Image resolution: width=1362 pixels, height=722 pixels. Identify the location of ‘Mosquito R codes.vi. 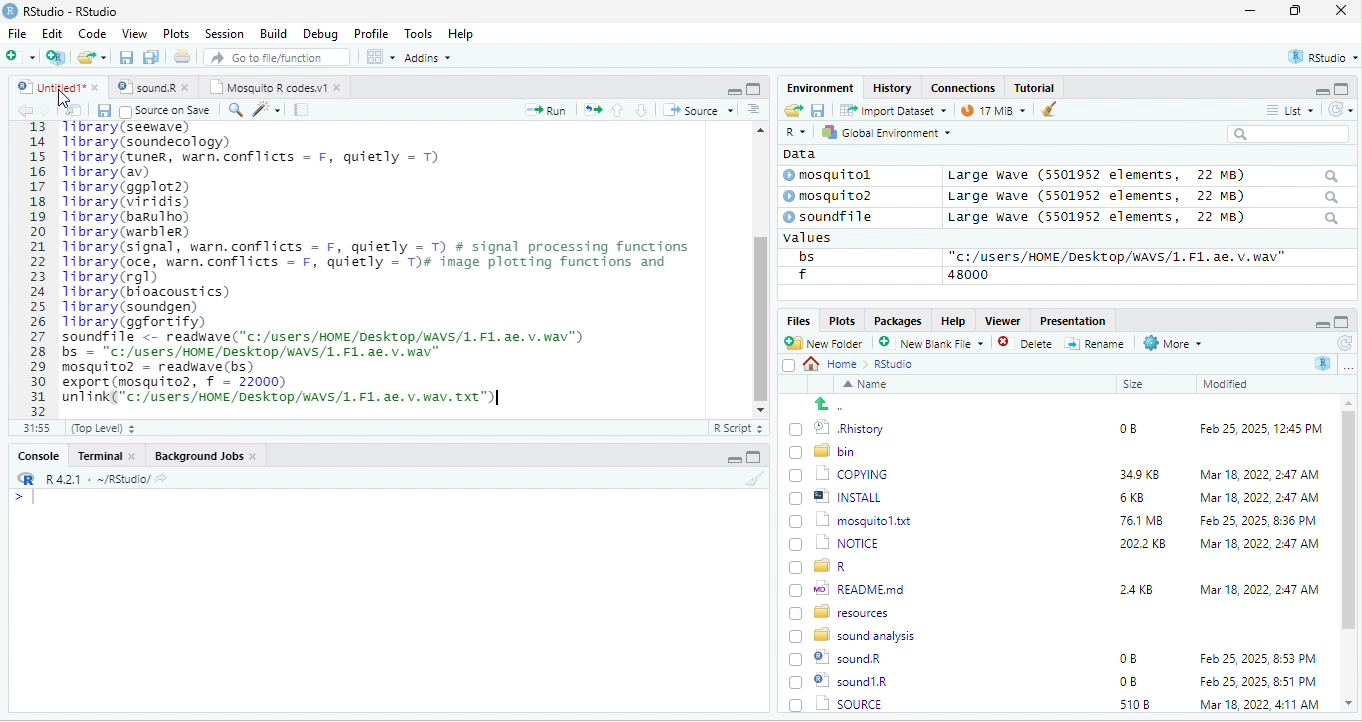
(150, 87).